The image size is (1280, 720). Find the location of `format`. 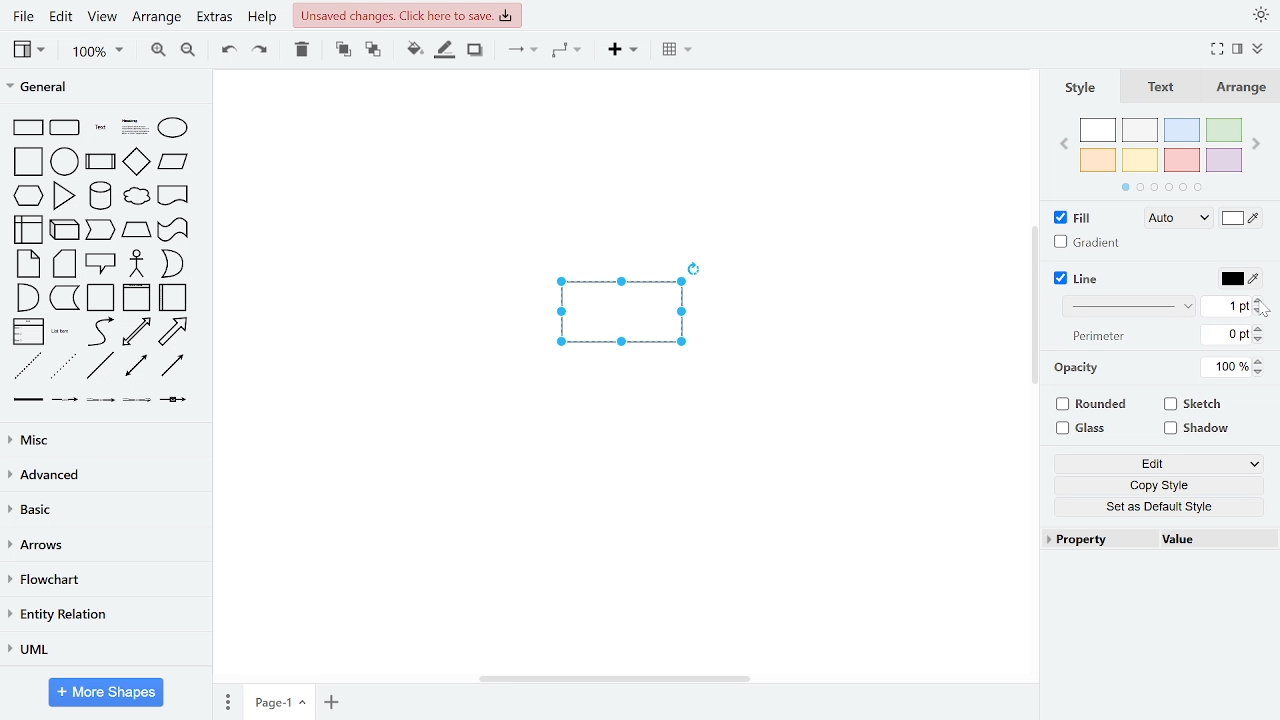

format is located at coordinates (1238, 49).